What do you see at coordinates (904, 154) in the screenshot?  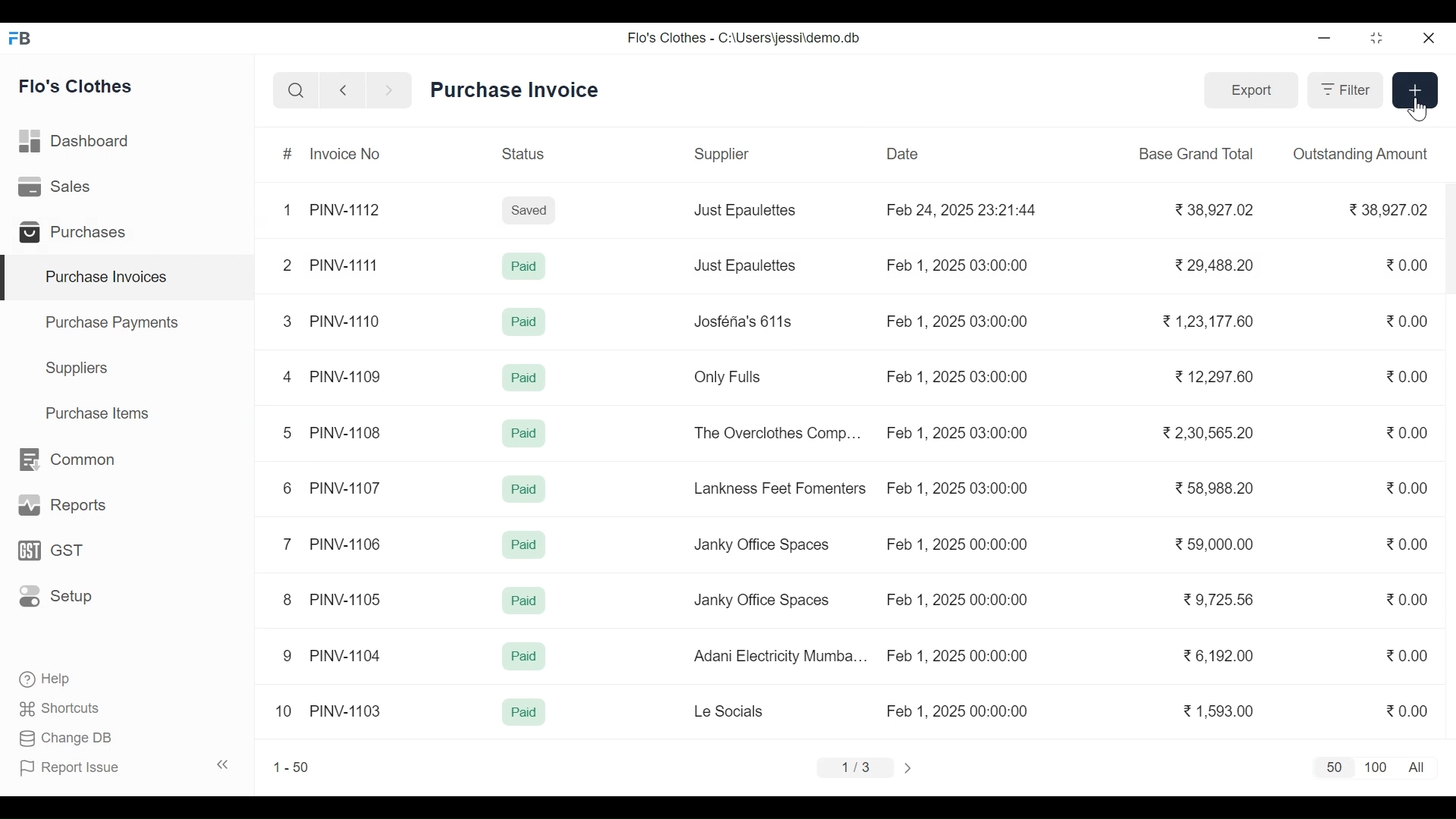 I see `Date` at bounding box center [904, 154].